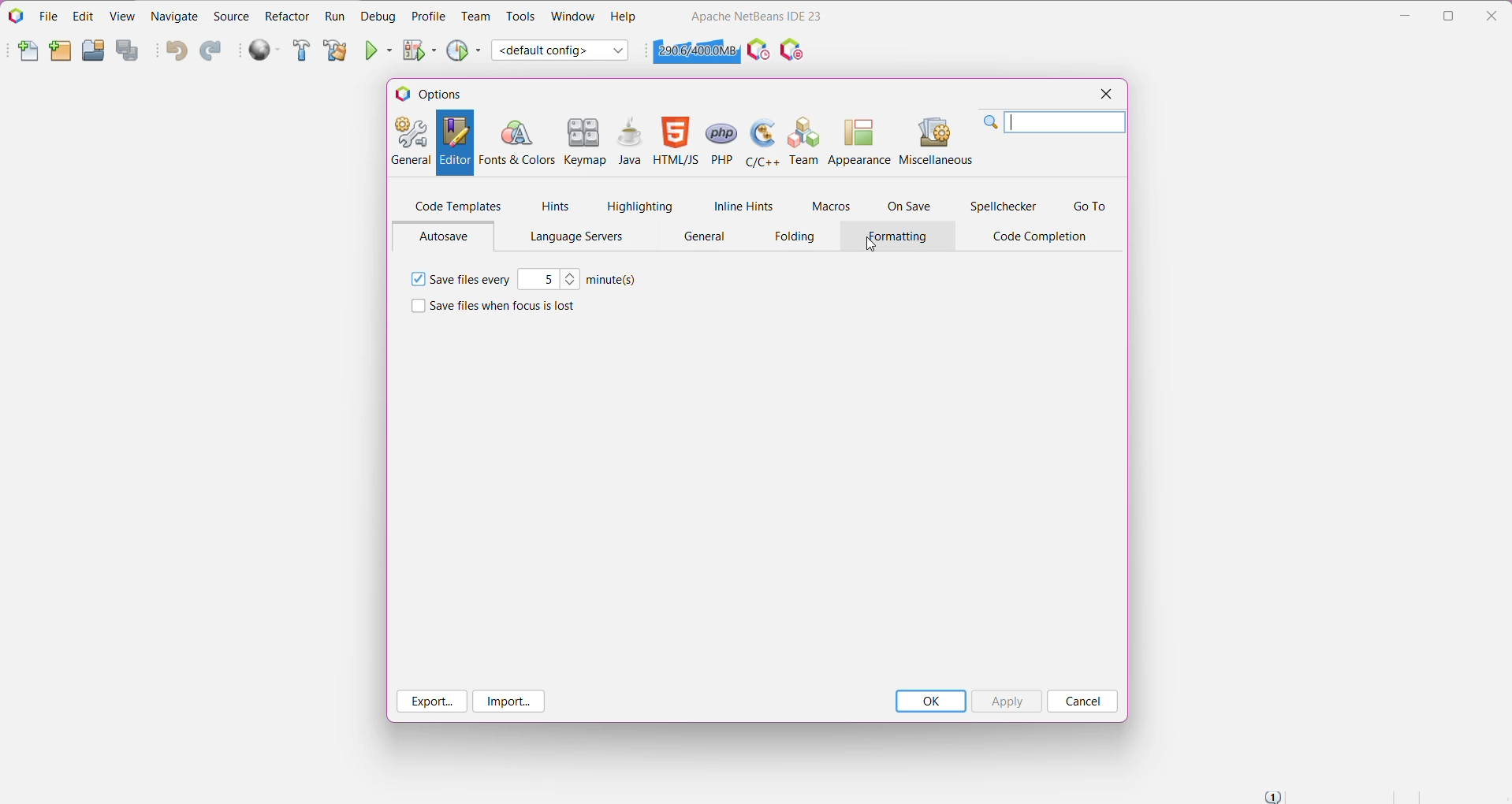  I want to click on checkbox, so click(416, 280).